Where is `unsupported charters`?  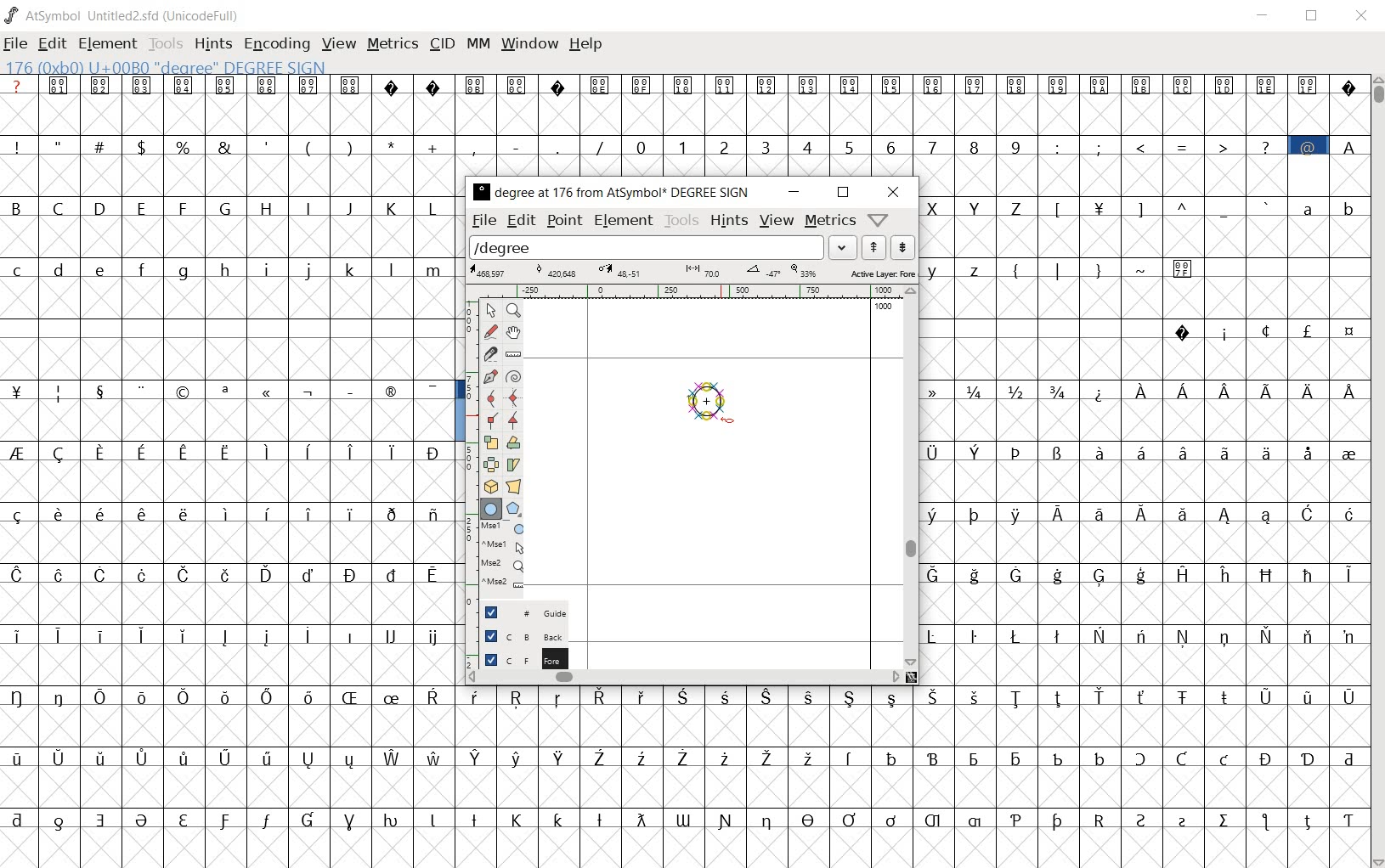 unsupported charters is located at coordinates (1349, 84).